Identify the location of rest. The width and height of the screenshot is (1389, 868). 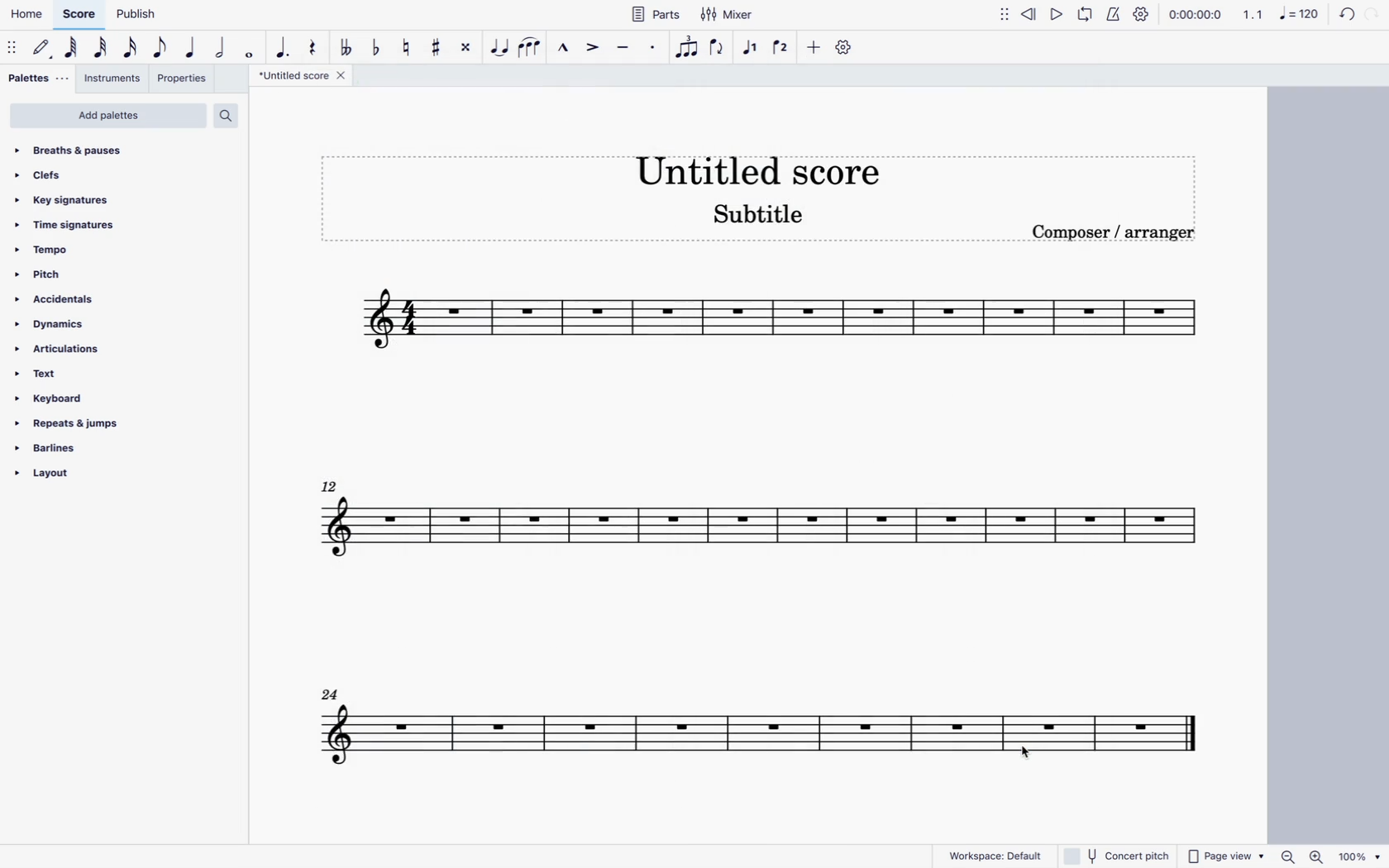
(314, 51).